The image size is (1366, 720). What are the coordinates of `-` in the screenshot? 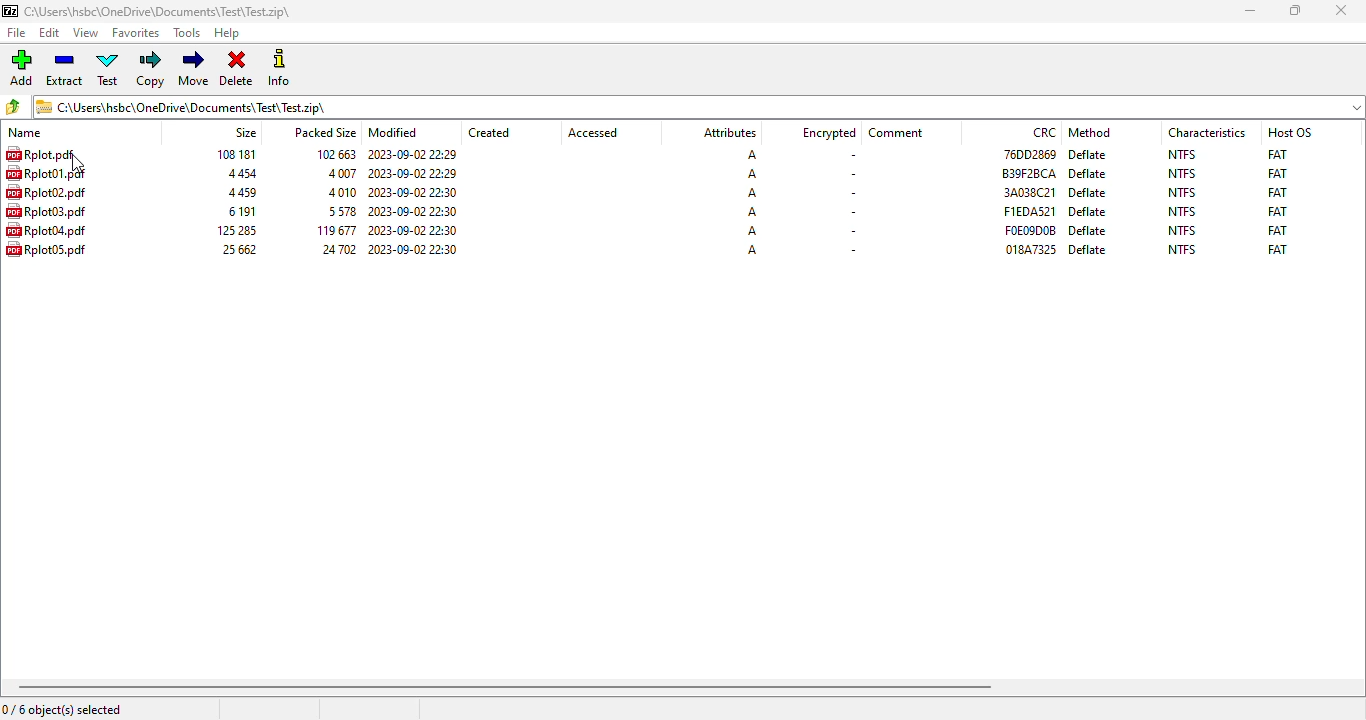 It's located at (852, 174).